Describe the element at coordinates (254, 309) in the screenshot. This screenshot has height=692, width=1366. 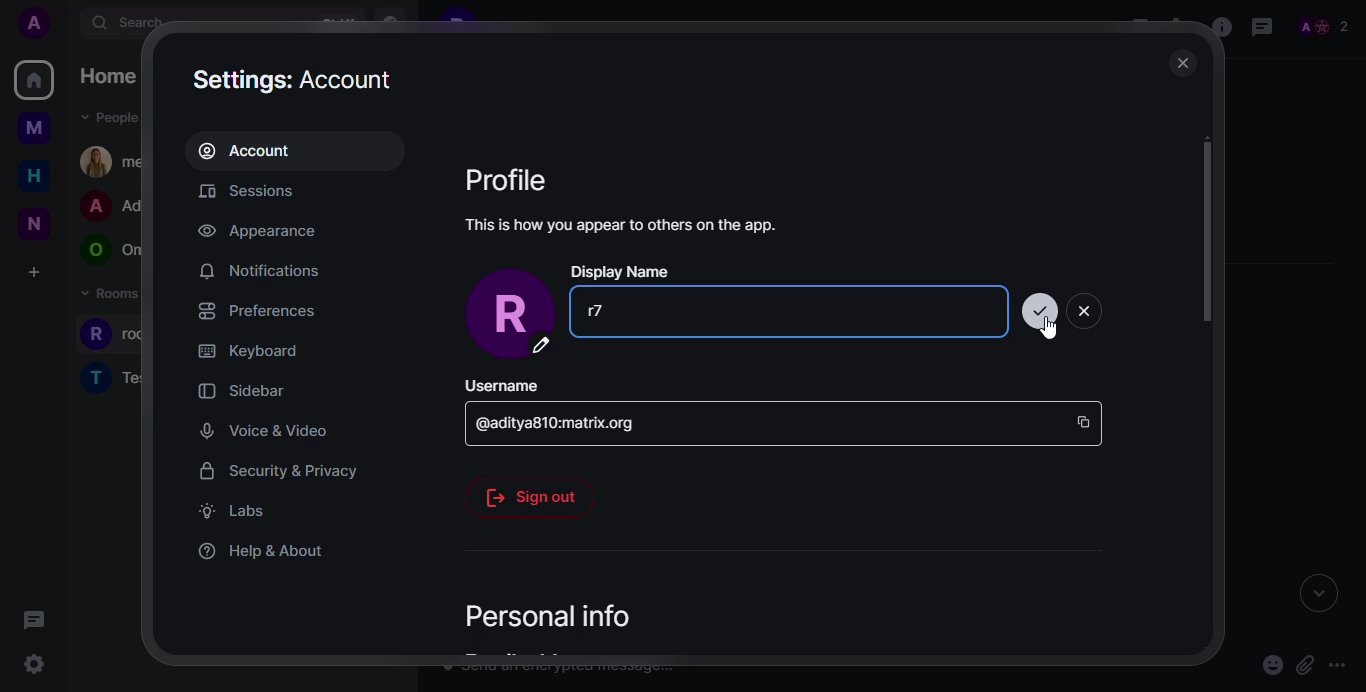
I see `preferences` at that location.